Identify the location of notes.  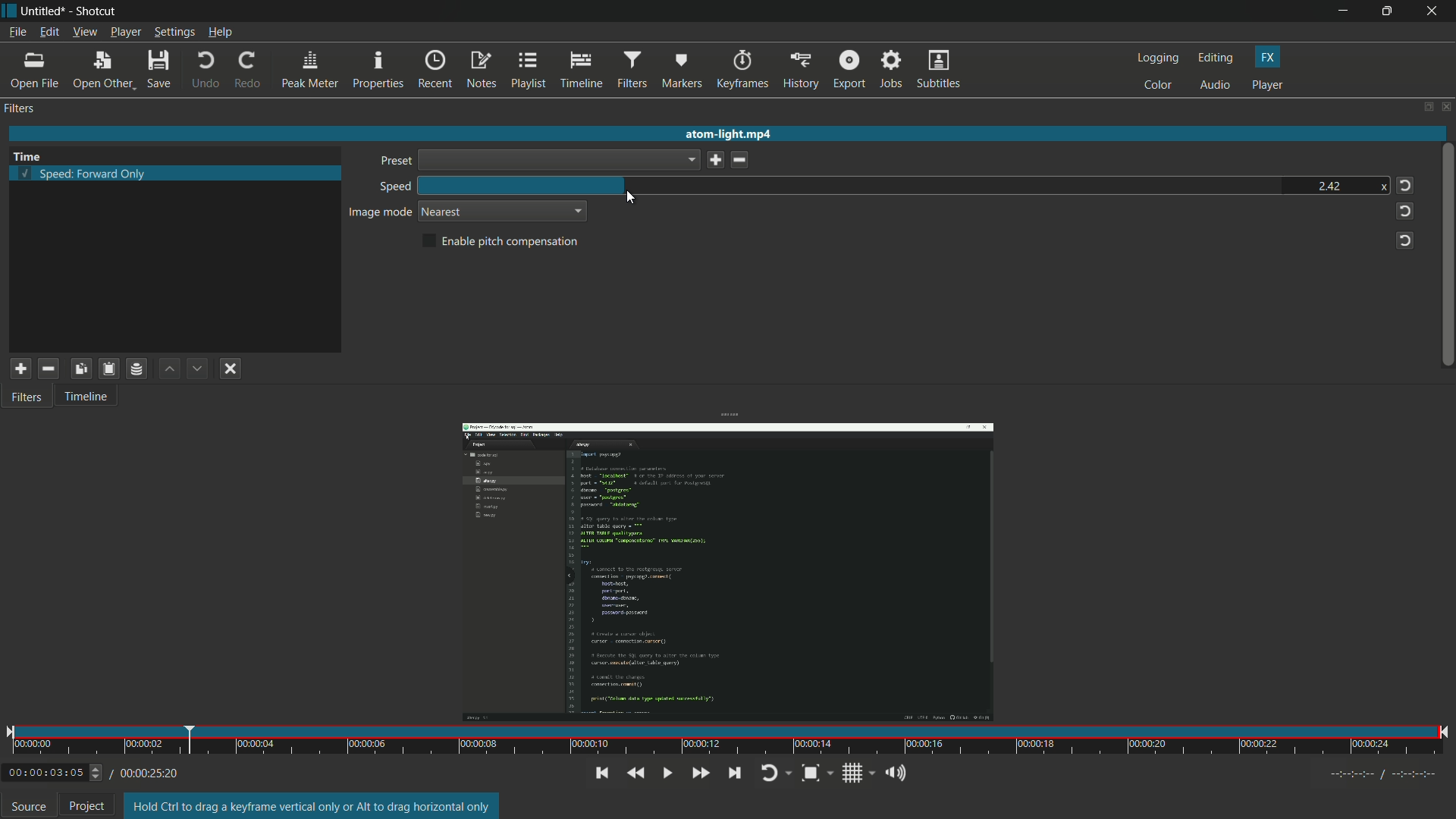
(483, 71).